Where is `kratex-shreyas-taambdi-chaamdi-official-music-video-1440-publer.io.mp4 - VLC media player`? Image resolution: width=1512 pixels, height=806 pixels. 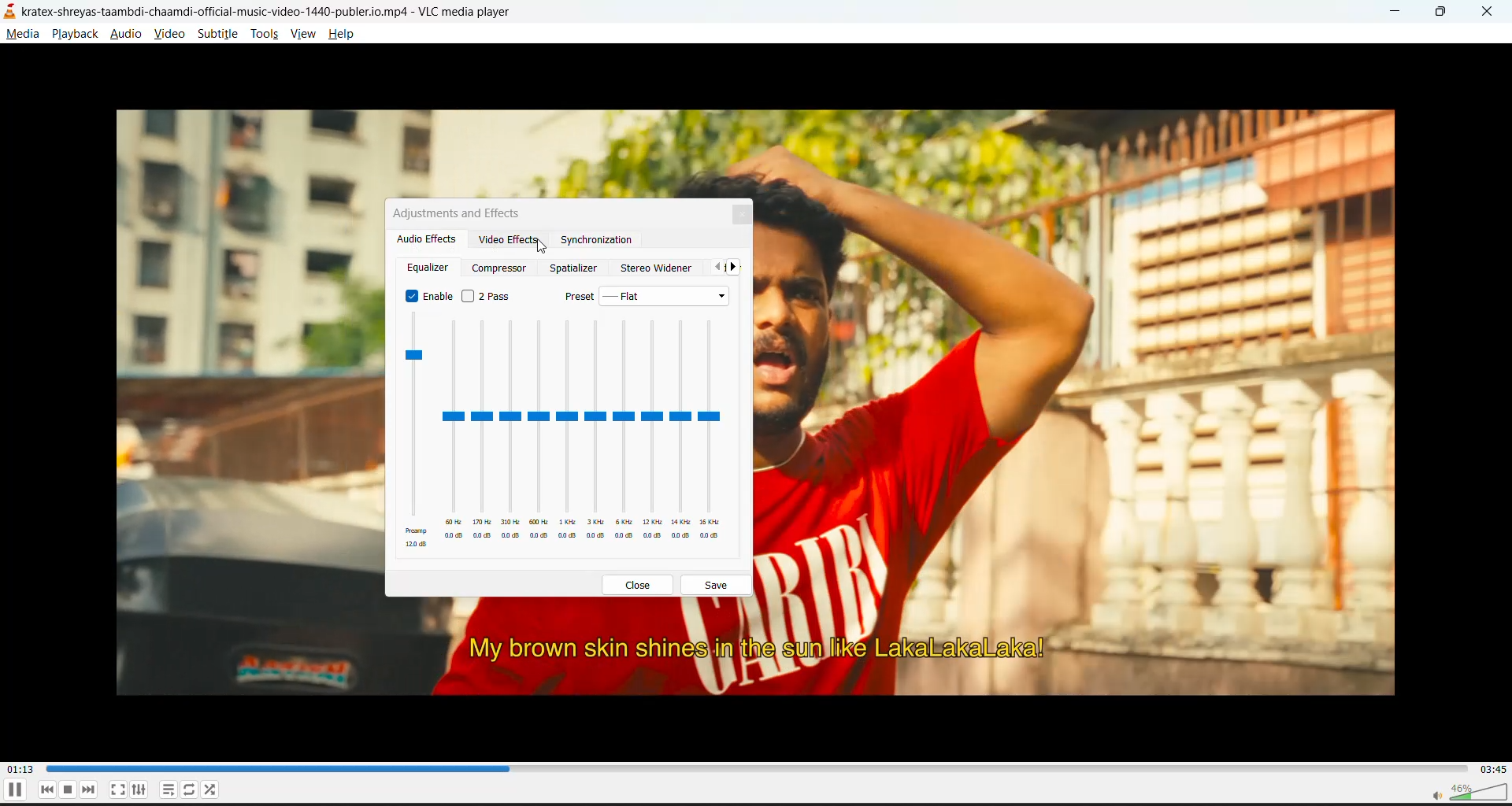 kratex-shreyas-taambdi-chaamdi-official-music-video-1440-publer.io.mp4 - VLC media player is located at coordinates (280, 12).